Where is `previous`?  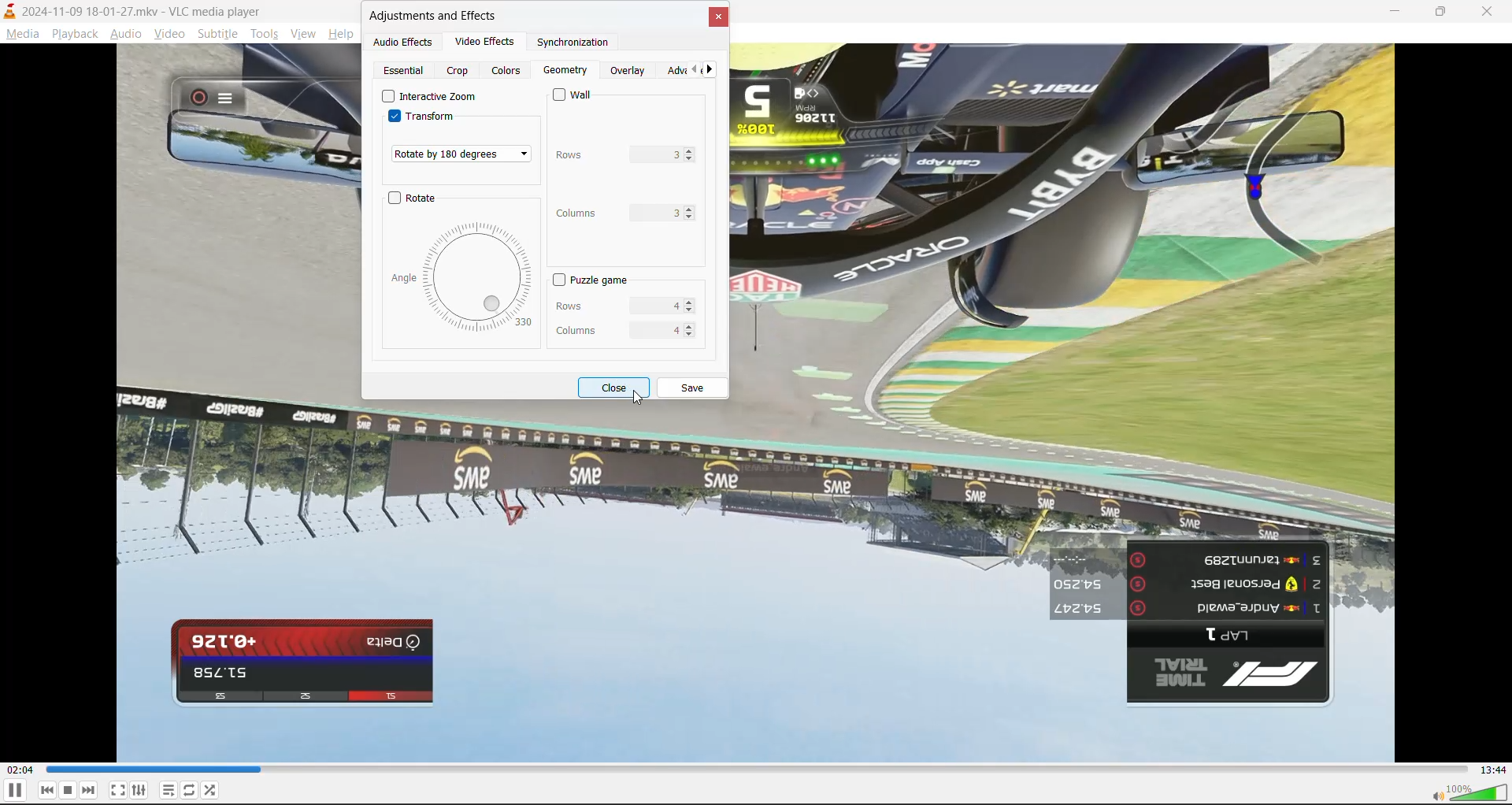 previous is located at coordinates (48, 790).